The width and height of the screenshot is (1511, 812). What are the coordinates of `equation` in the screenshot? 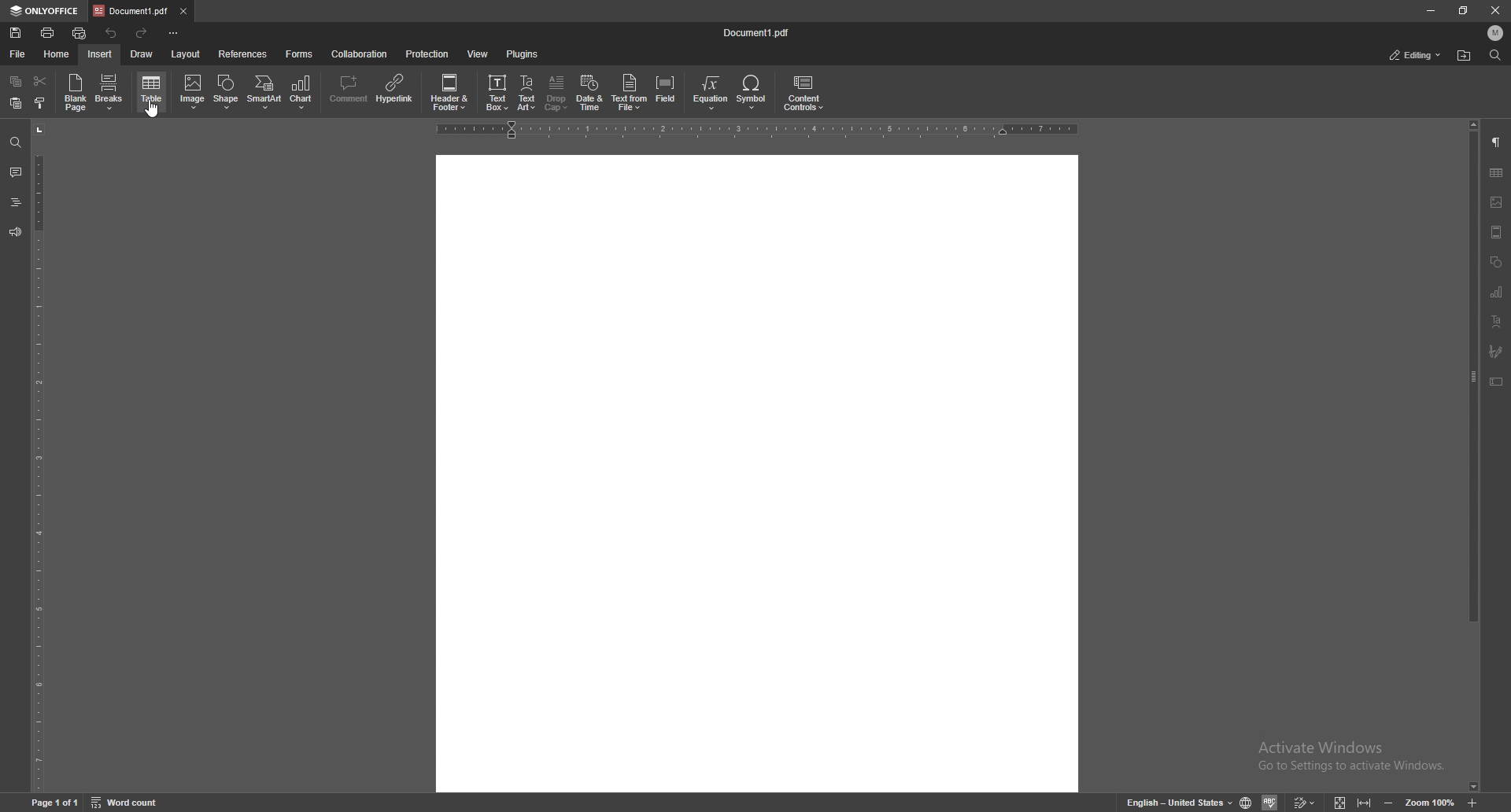 It's located at (710, 94).